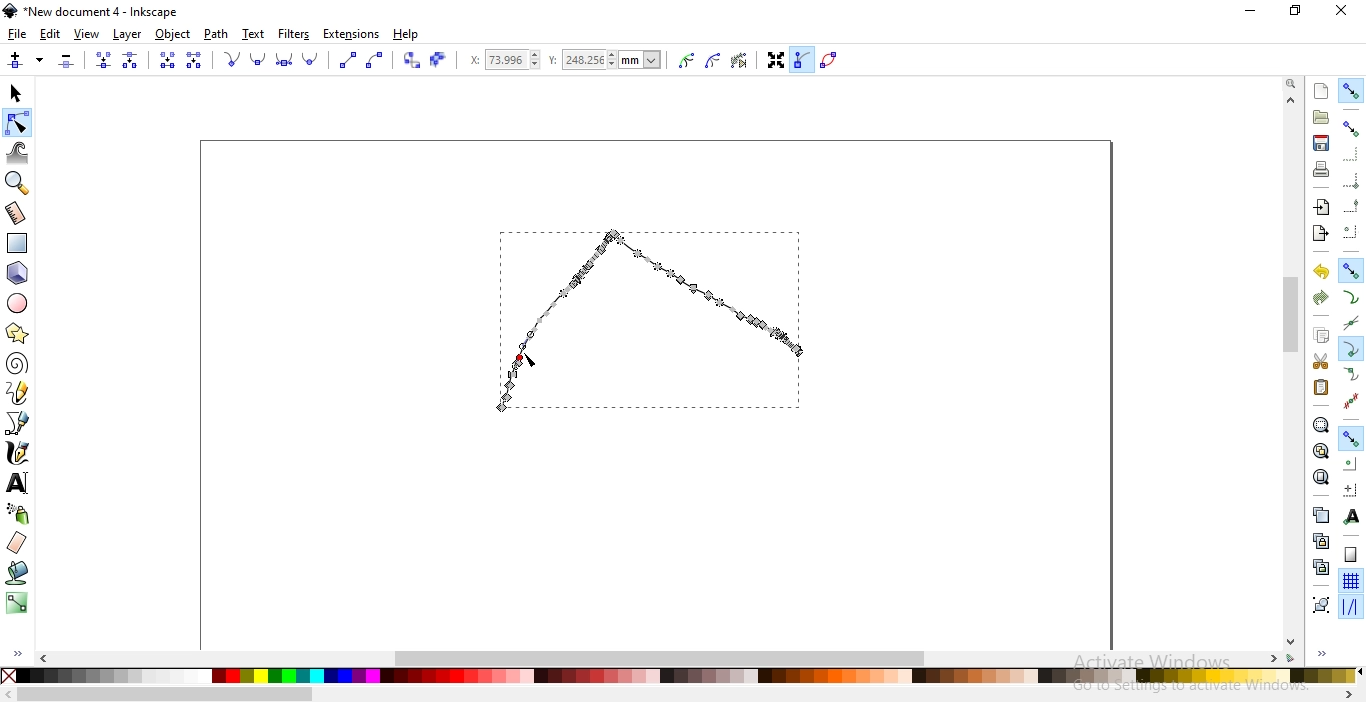 The height and width of the screenshot is (702, 1366). What do you see at coordinates (1351, 206) in the screenshot?
I see `snap midpointsof bounding boxes edges` at bounding box center [1351, 206].